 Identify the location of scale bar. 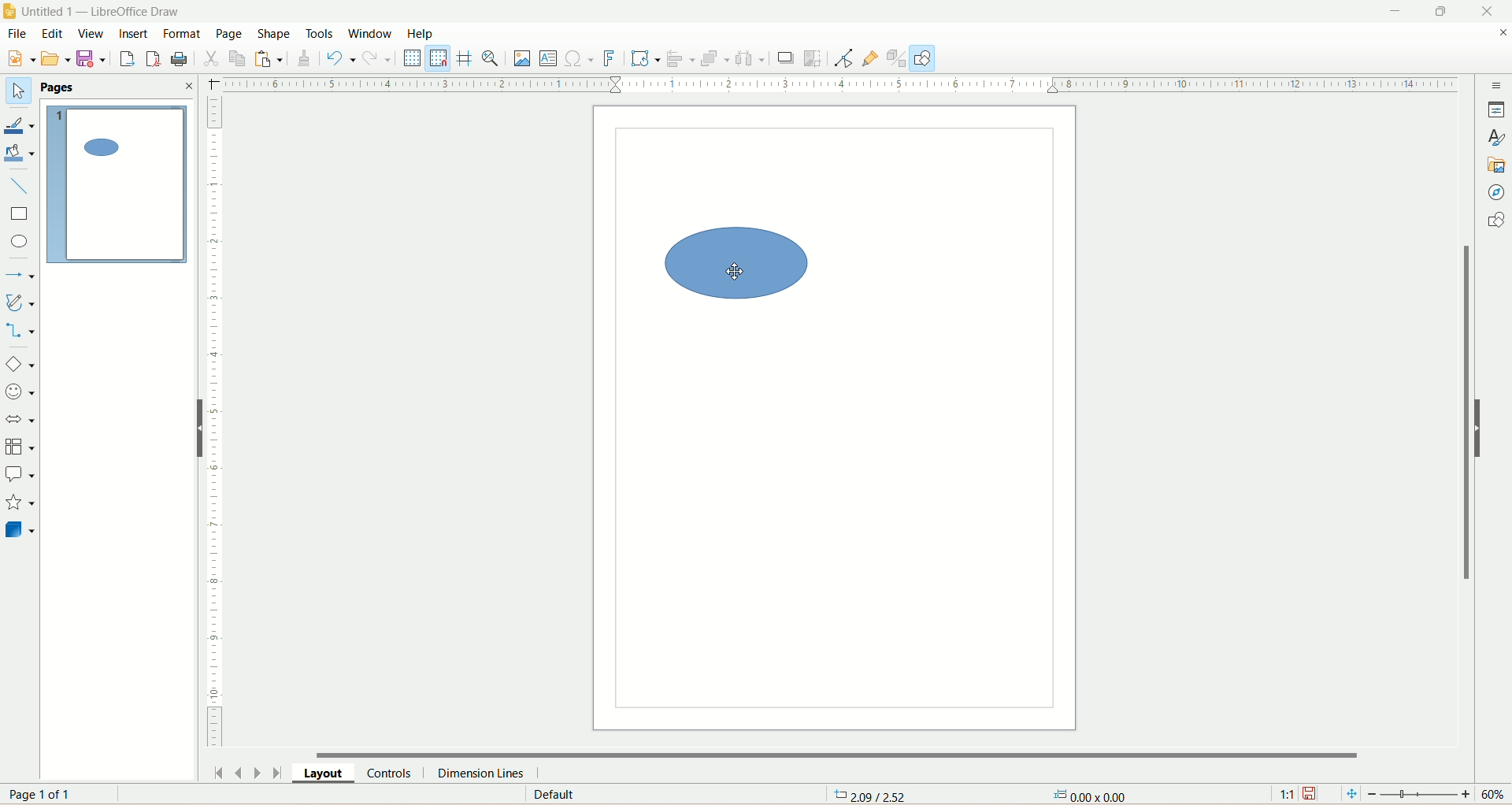
(842, 85).